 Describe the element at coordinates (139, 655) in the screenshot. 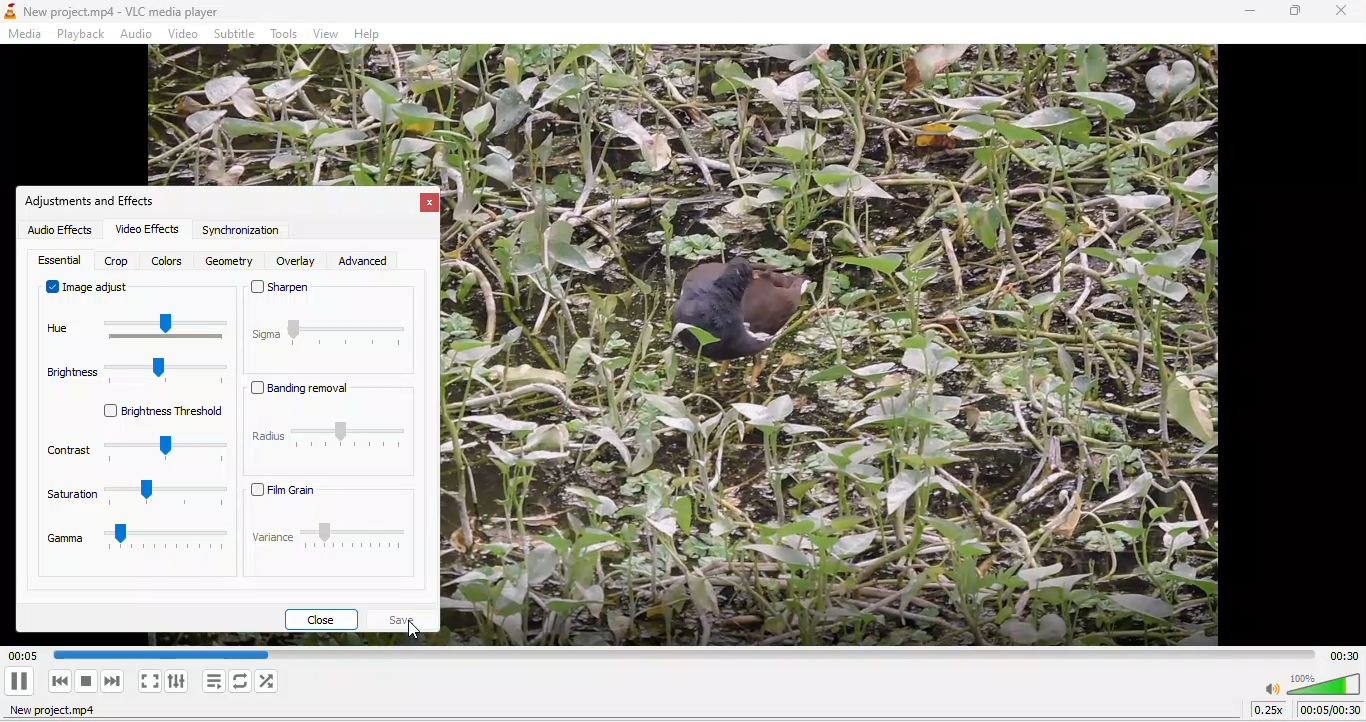

I see `00.04` at that location.